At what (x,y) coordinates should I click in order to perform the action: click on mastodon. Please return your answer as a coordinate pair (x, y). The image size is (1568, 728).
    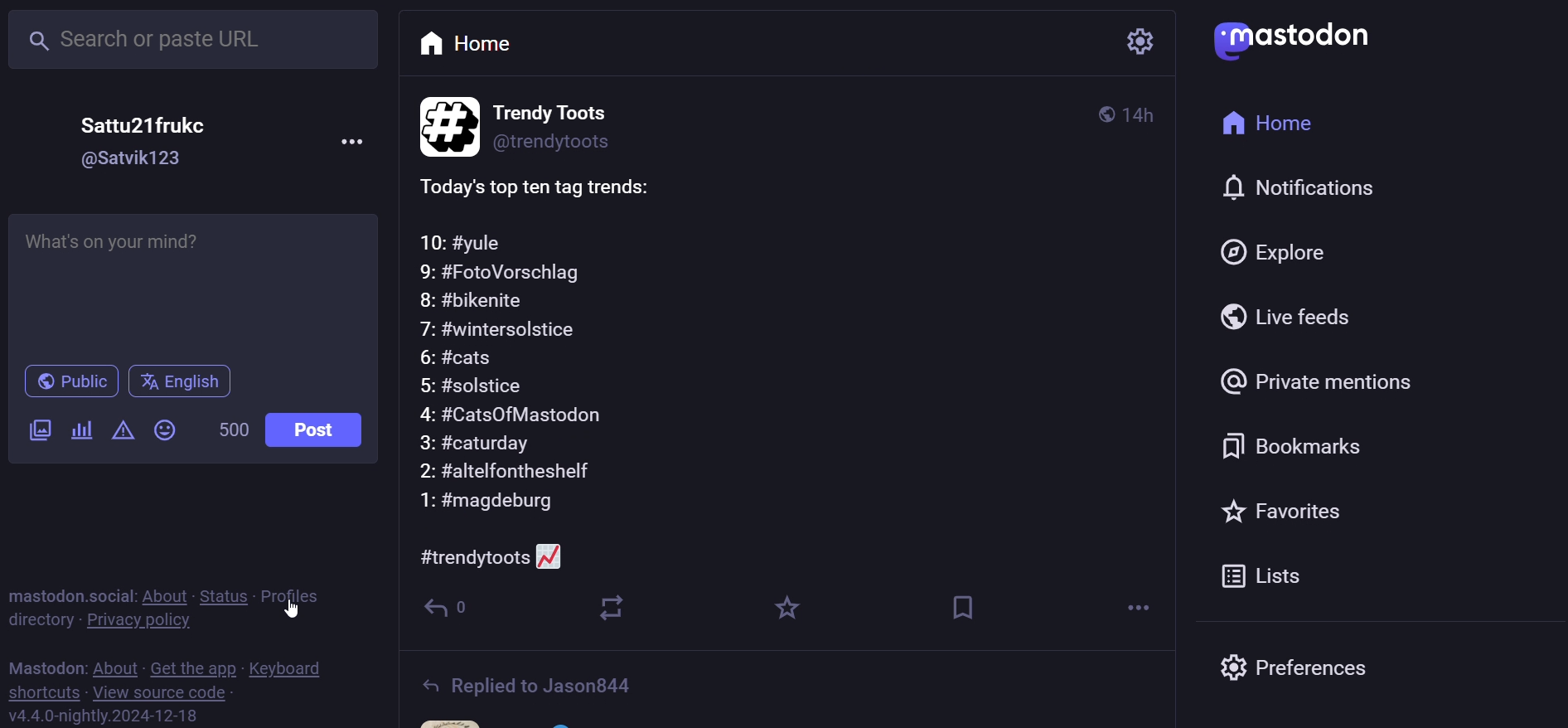
    Looking at the image, I should click on (1293, 41).